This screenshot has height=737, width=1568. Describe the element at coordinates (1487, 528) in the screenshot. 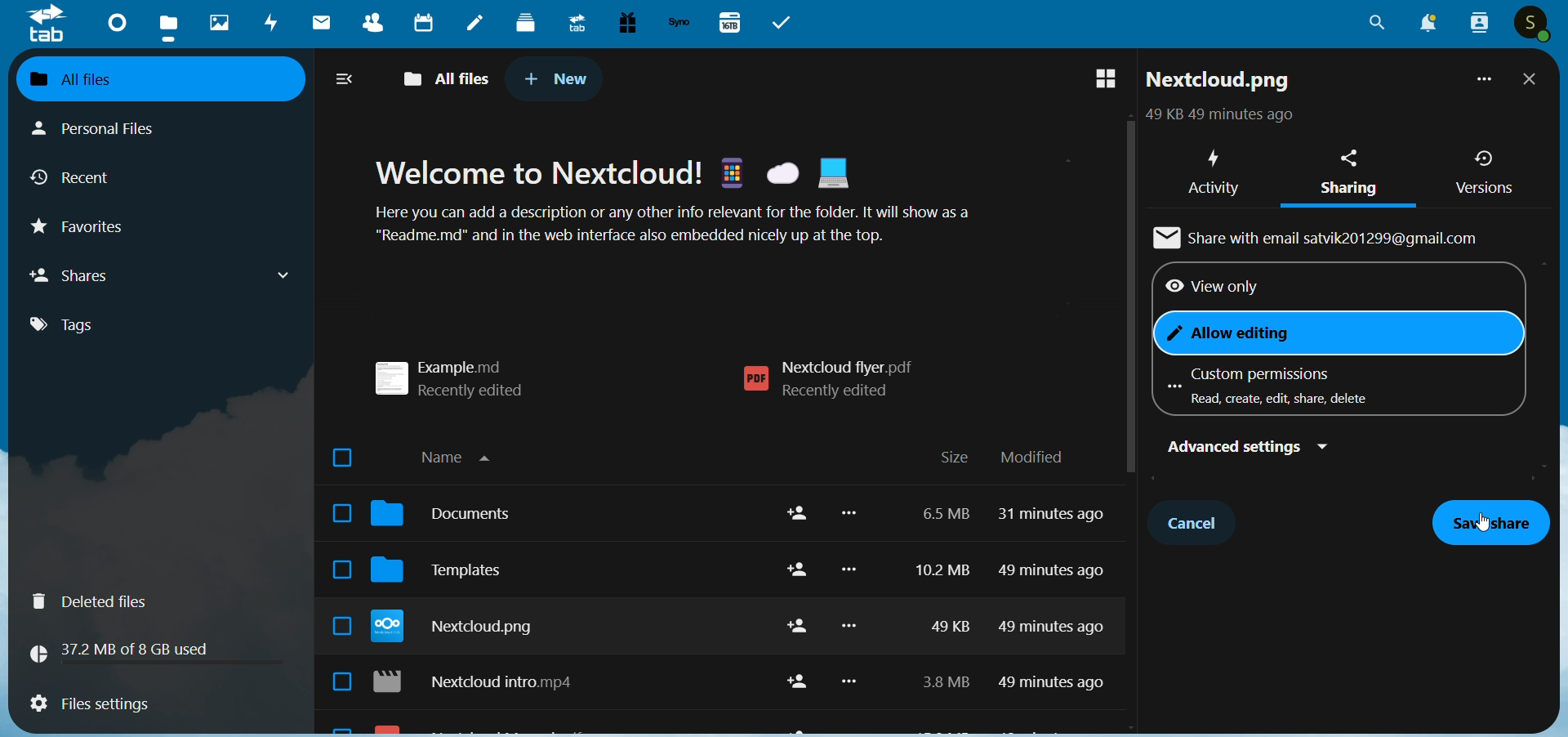

I see `cursor` at that location.